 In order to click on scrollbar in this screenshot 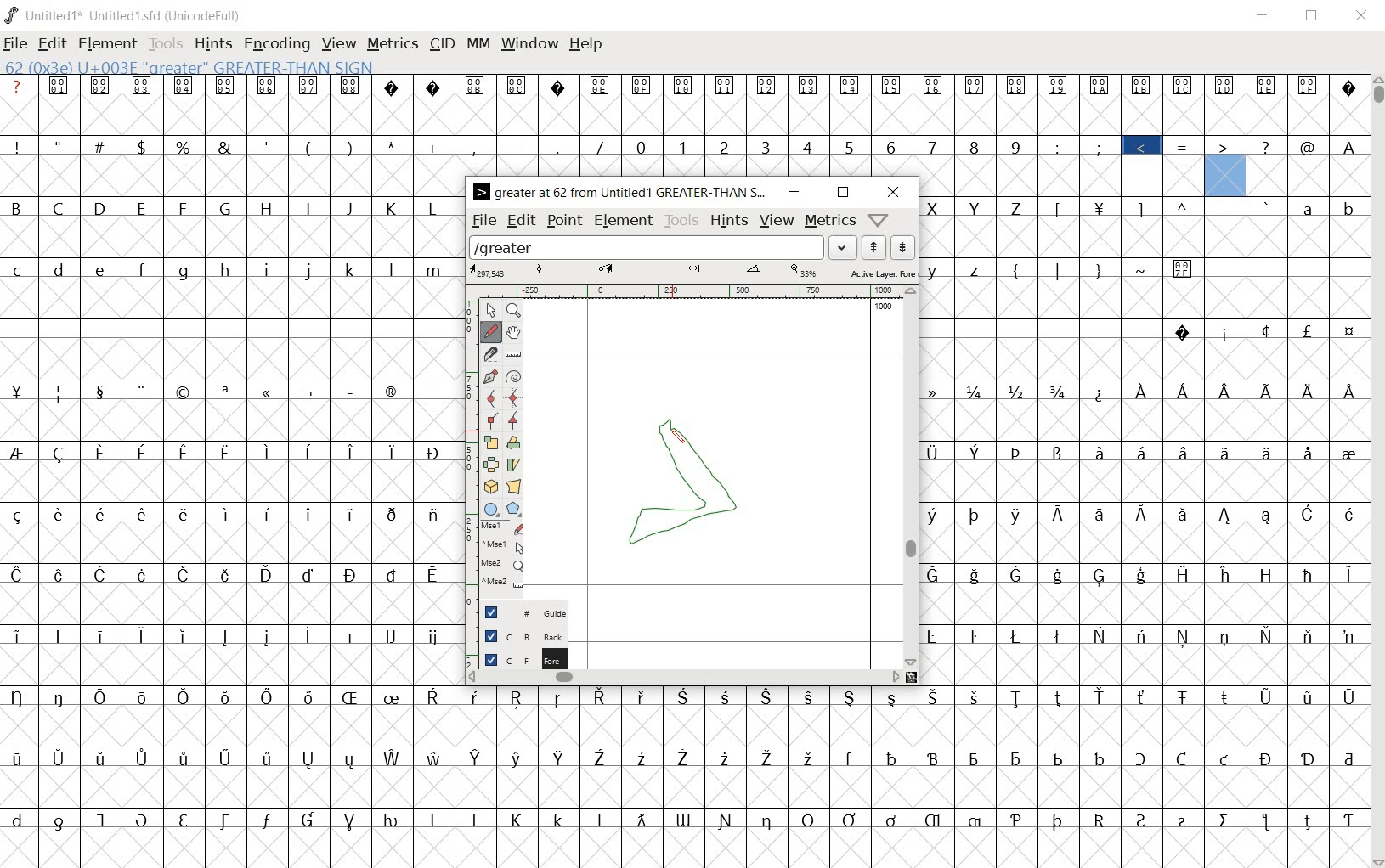, I will do `click(1377, 471)`.